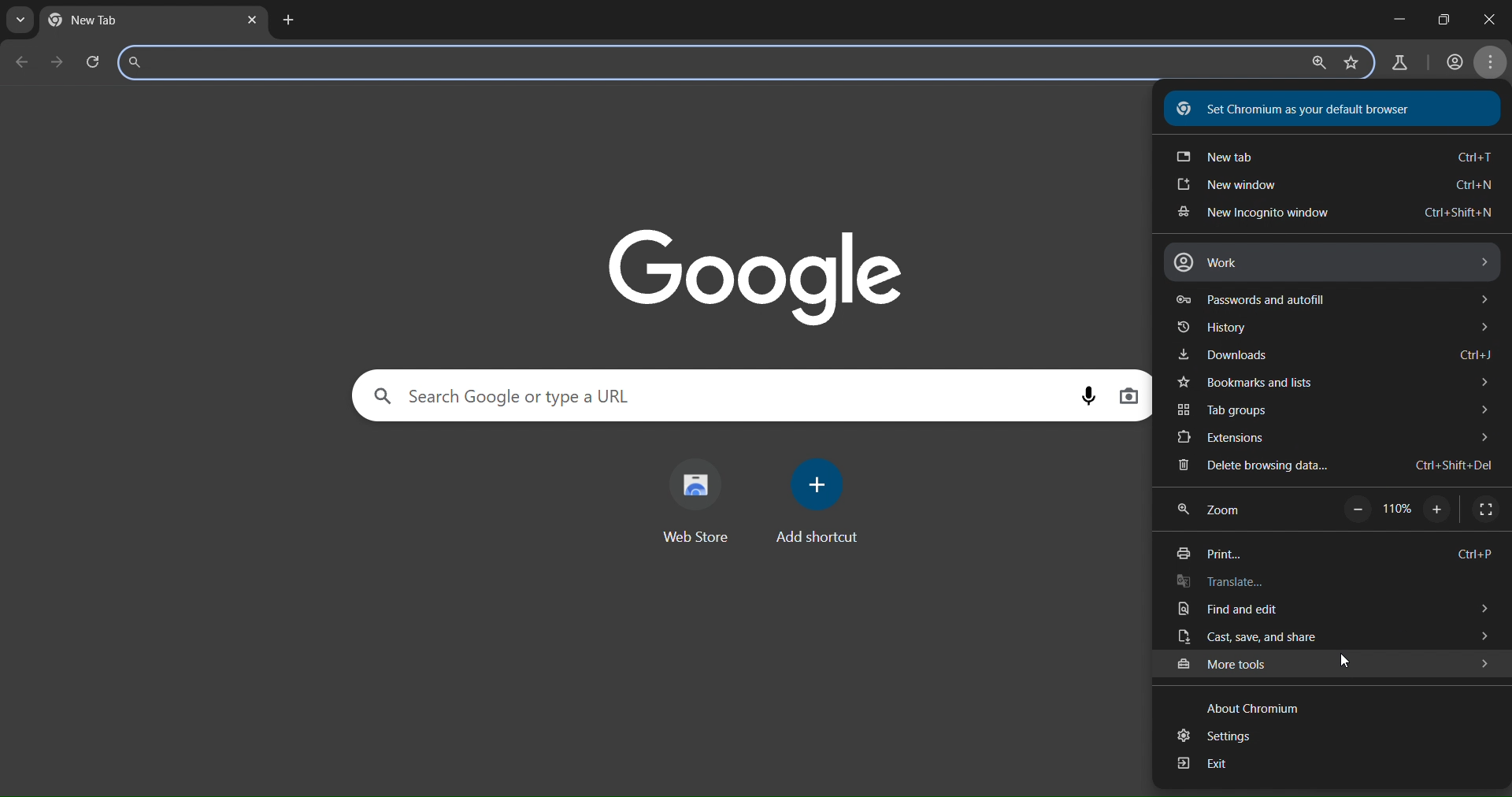 The width and height of the screenshot is (1512, 797). I want to click on search labs, so click(1402, 64).